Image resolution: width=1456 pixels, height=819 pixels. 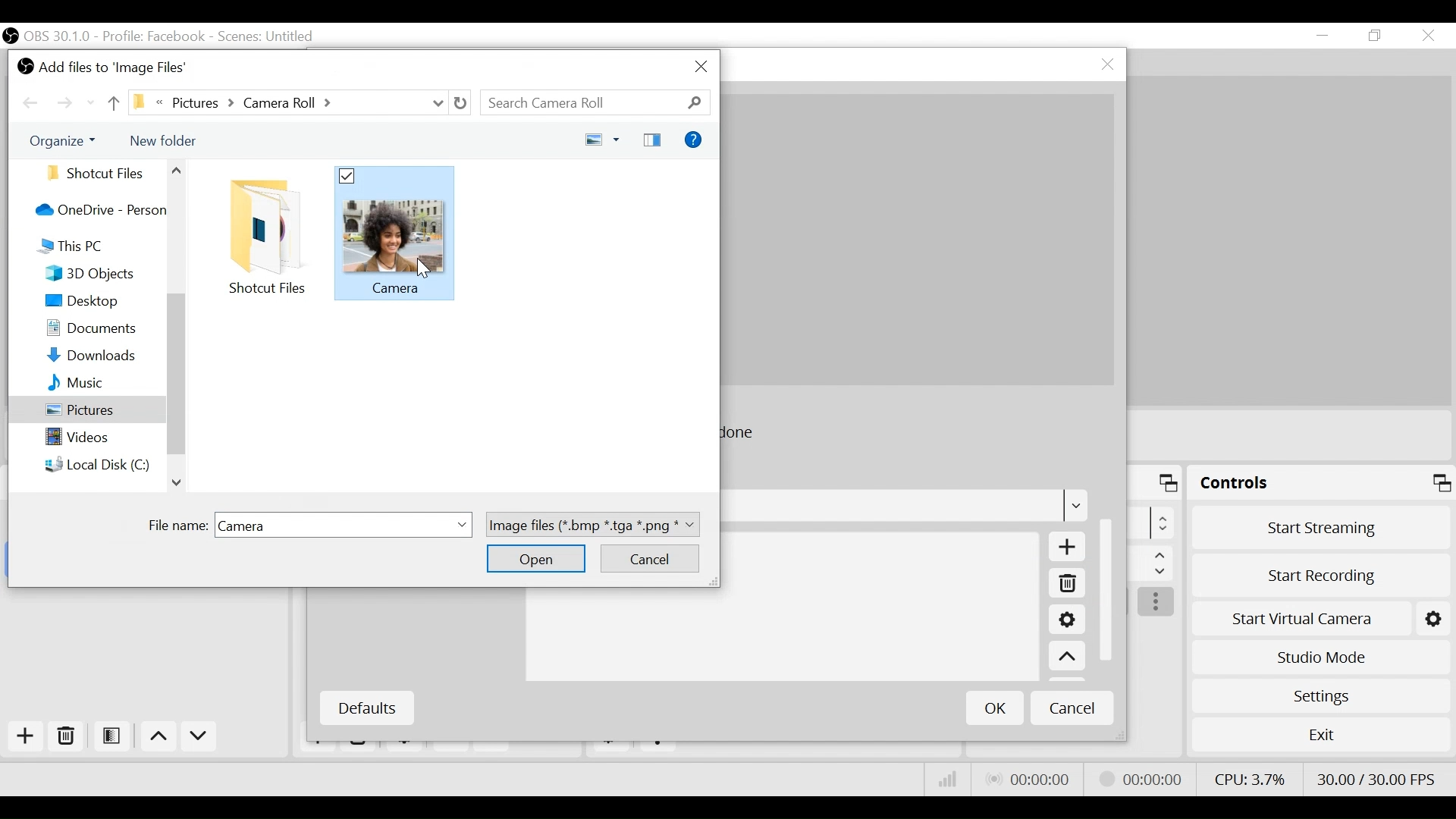 What do you see at coordinates (1067, 657) in the screenshot?
I see `Move up` at bounding box center [1067, 657].